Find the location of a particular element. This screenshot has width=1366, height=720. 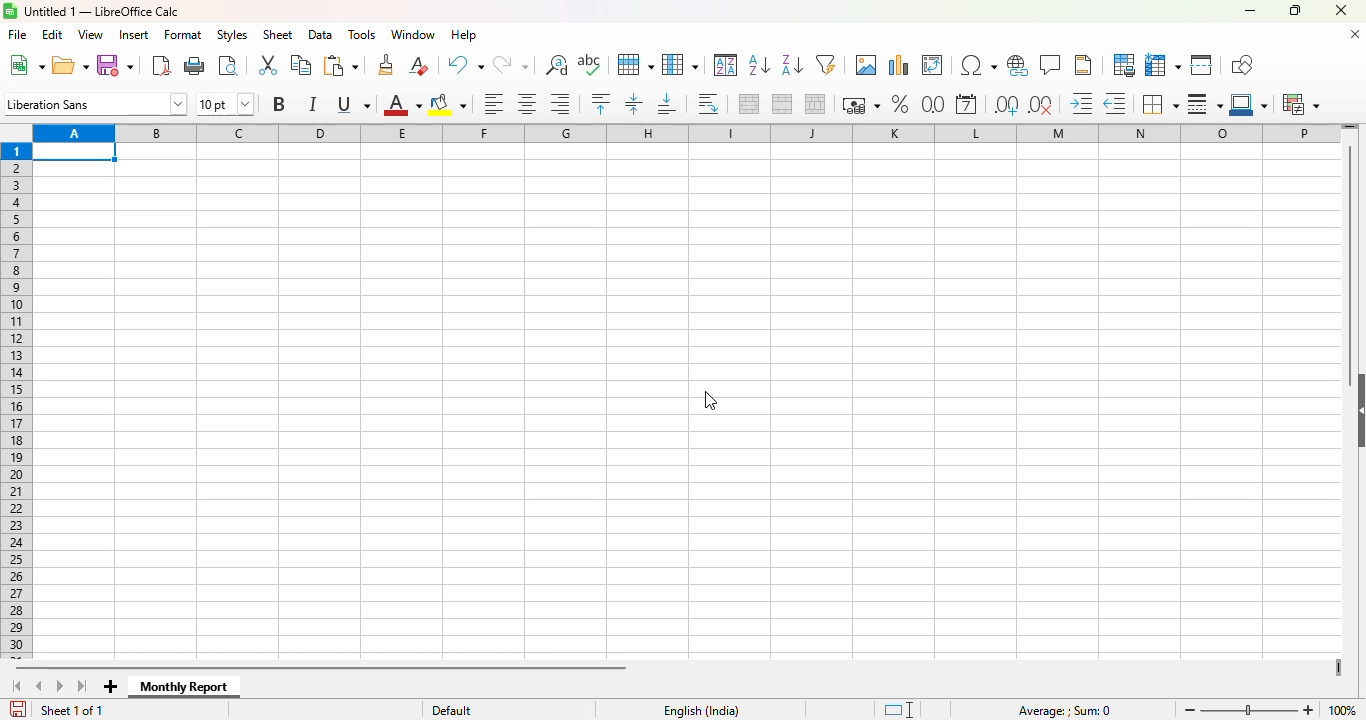

insert special characters is located at coordinates (978, 66).